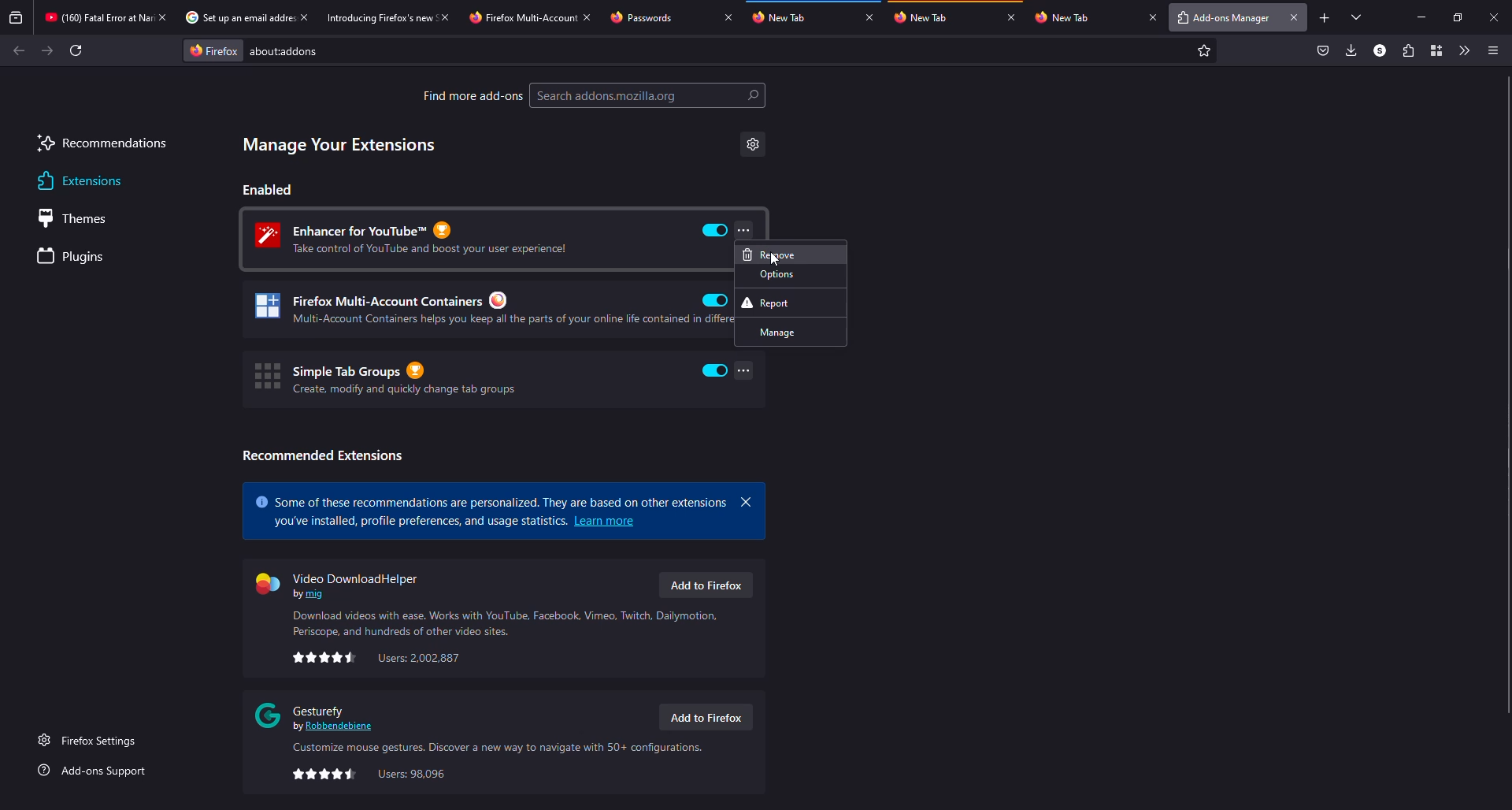  I want to click on Close, so click(161, 17).